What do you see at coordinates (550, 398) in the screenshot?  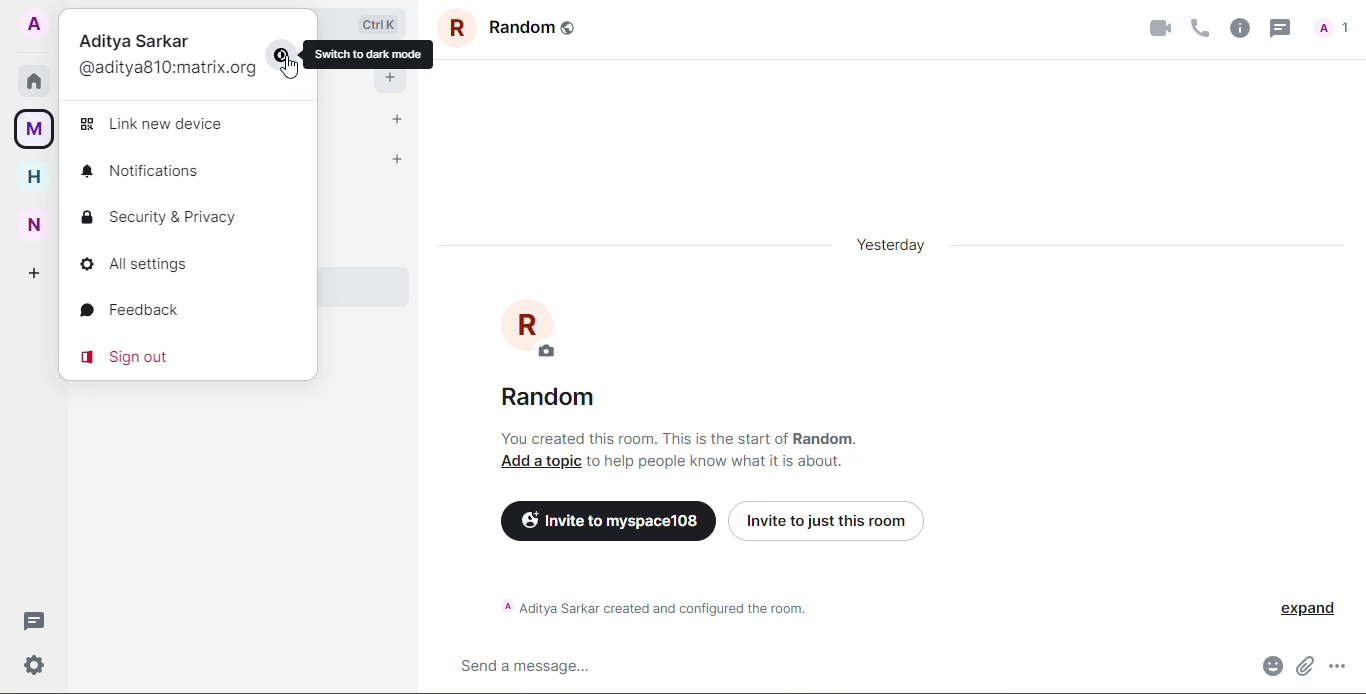 I see `room` at bounding box center [550, 398].